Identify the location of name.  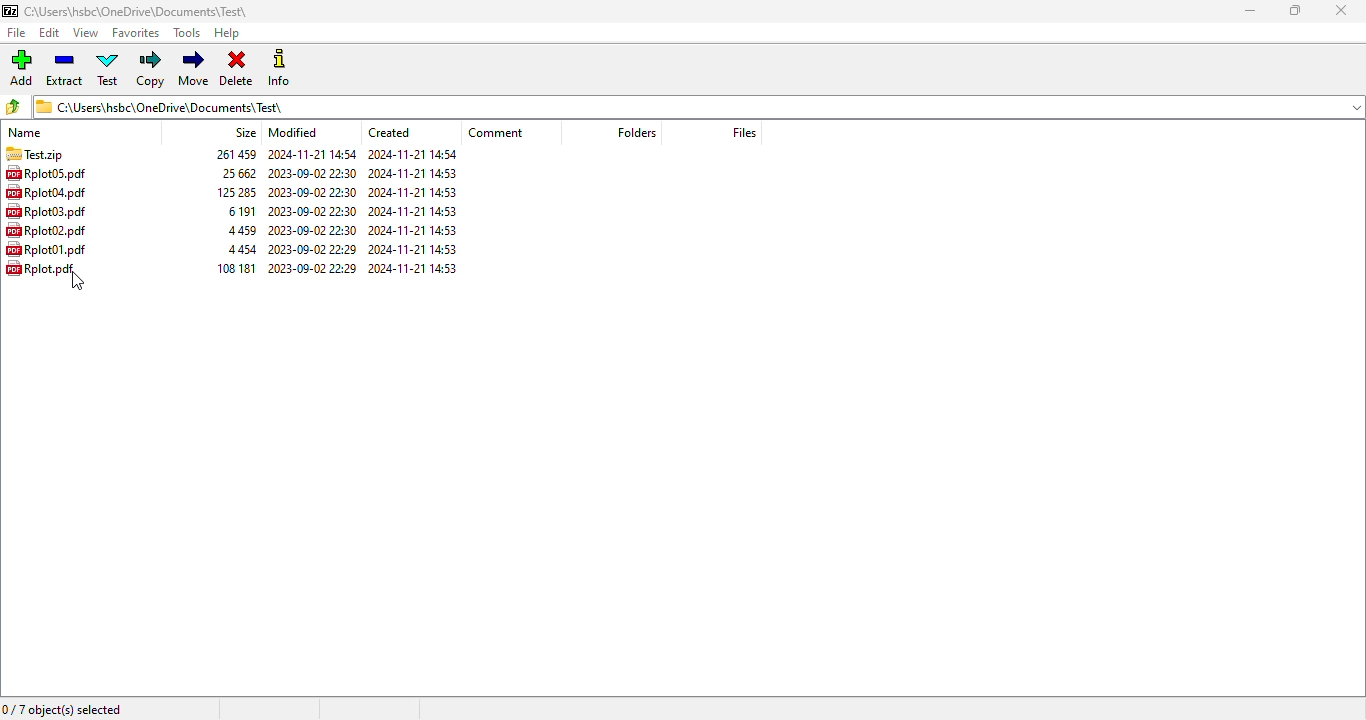
(24, 132).